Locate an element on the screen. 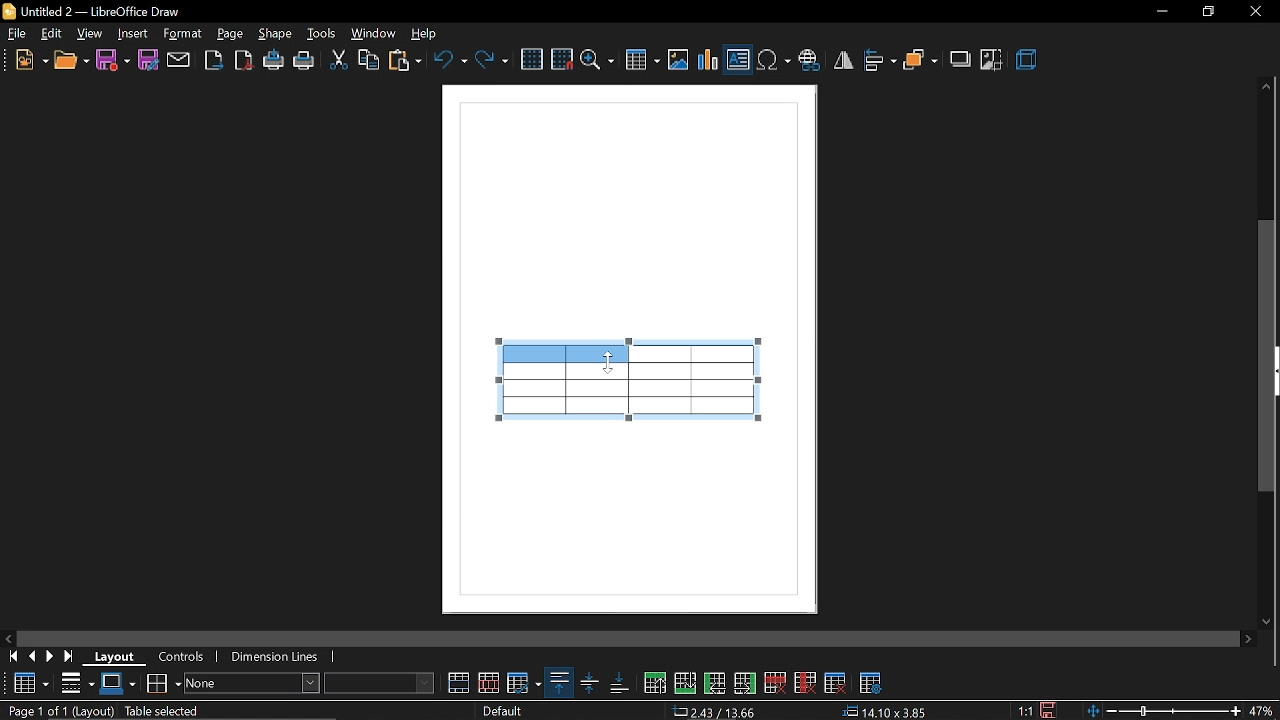 This screenshot has height=720, width=1280. window is located at coordinates (374, 33).